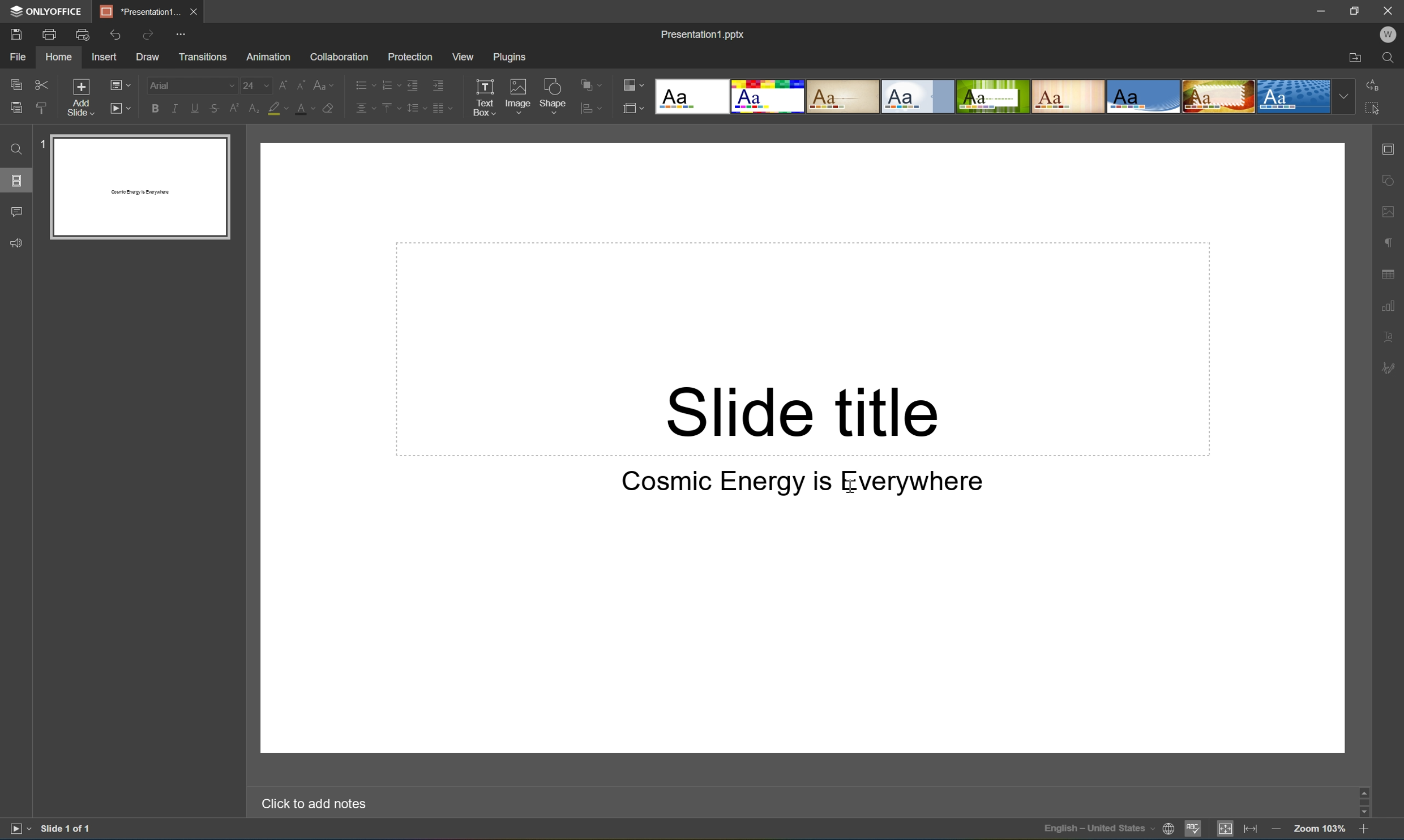 The width and height of the screenshot is (1404, 840). I want to click on View, so click(464, 58).